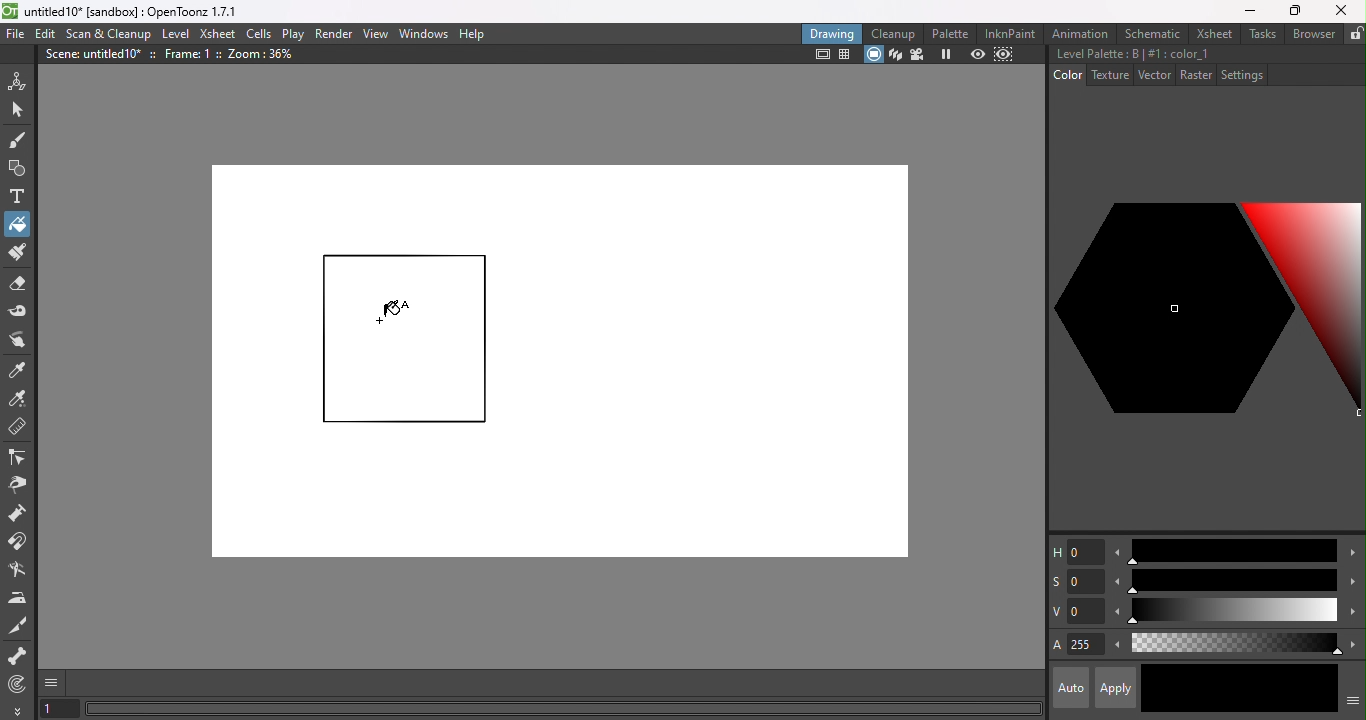 This screenshot has width=1366, height=720. Describe the element at coordinates (1241, 74) in the screenshot. I see `Settings` at that location.